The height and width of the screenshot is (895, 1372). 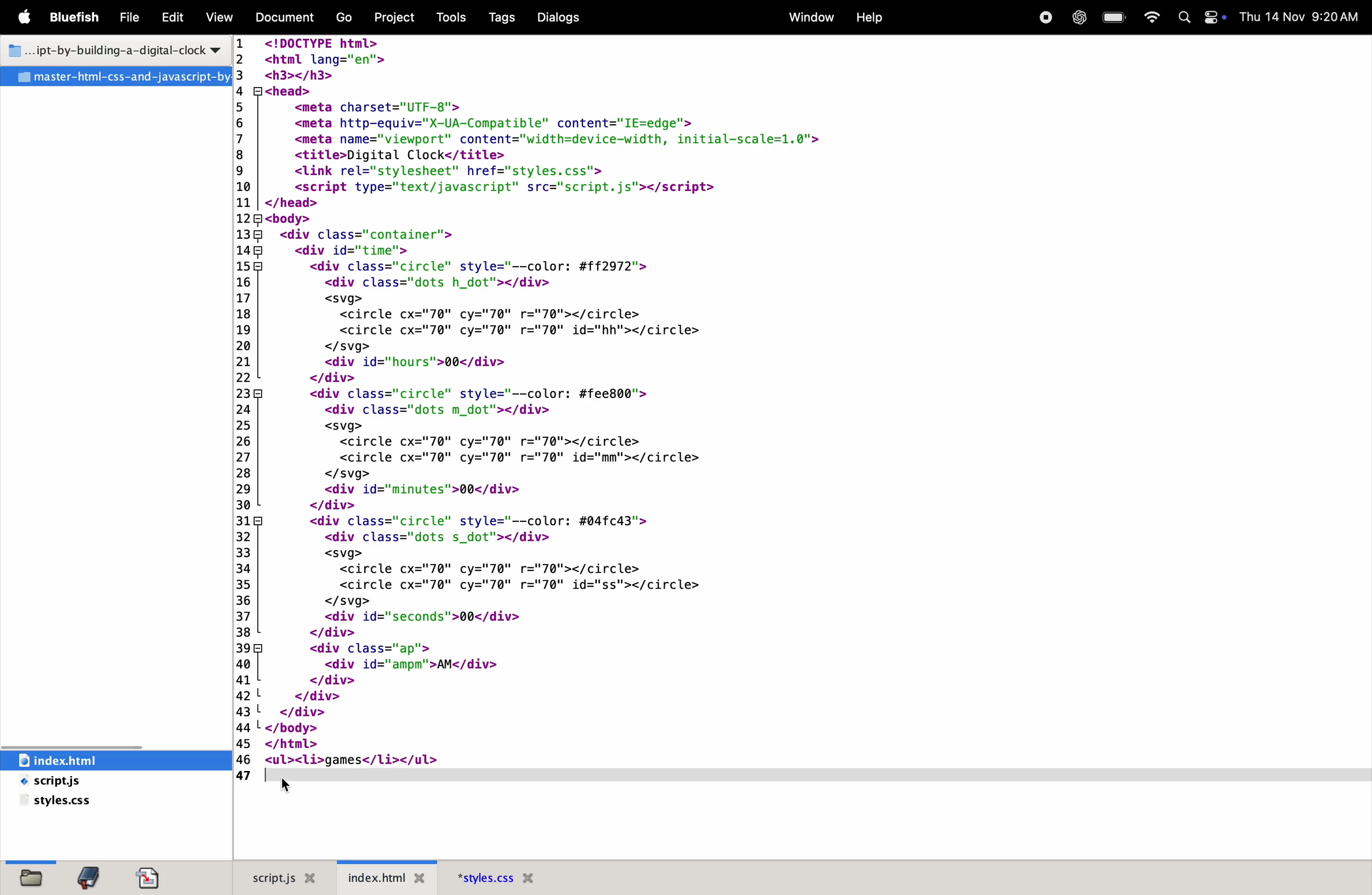 I want to click on date and time, so click(x=1299, y=16).